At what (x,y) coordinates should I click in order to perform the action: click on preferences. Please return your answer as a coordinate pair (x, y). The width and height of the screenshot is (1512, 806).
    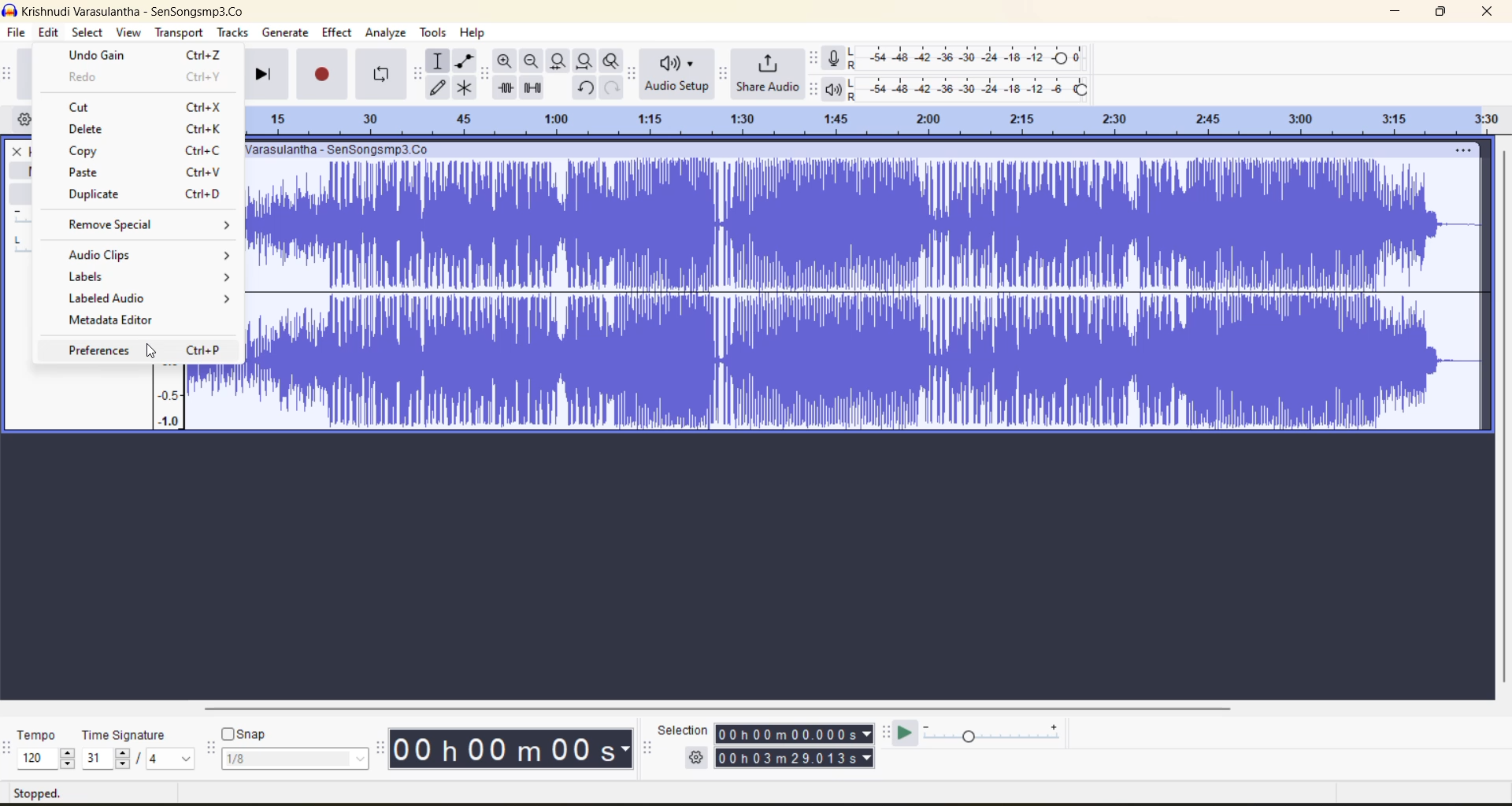
    Looking at the image, I should click on (145, 353).